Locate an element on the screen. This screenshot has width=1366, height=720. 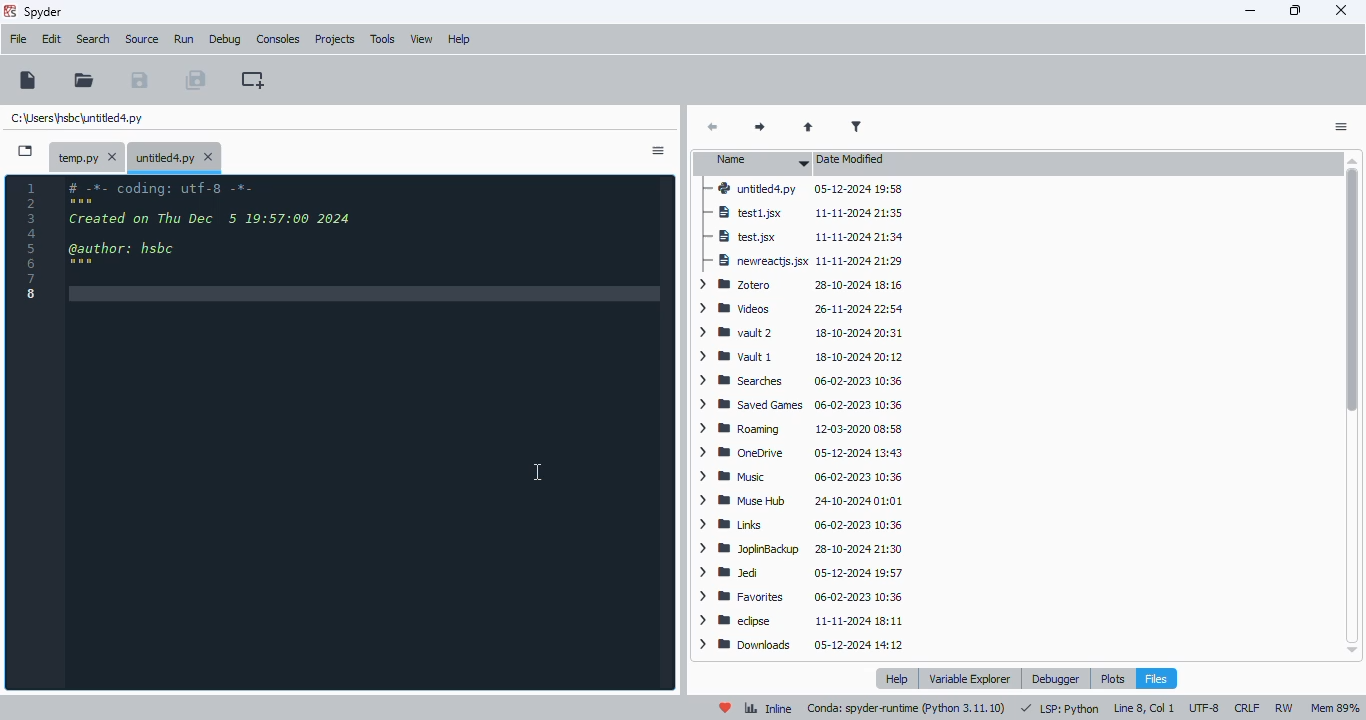
back is located at coordinates (714, 128).